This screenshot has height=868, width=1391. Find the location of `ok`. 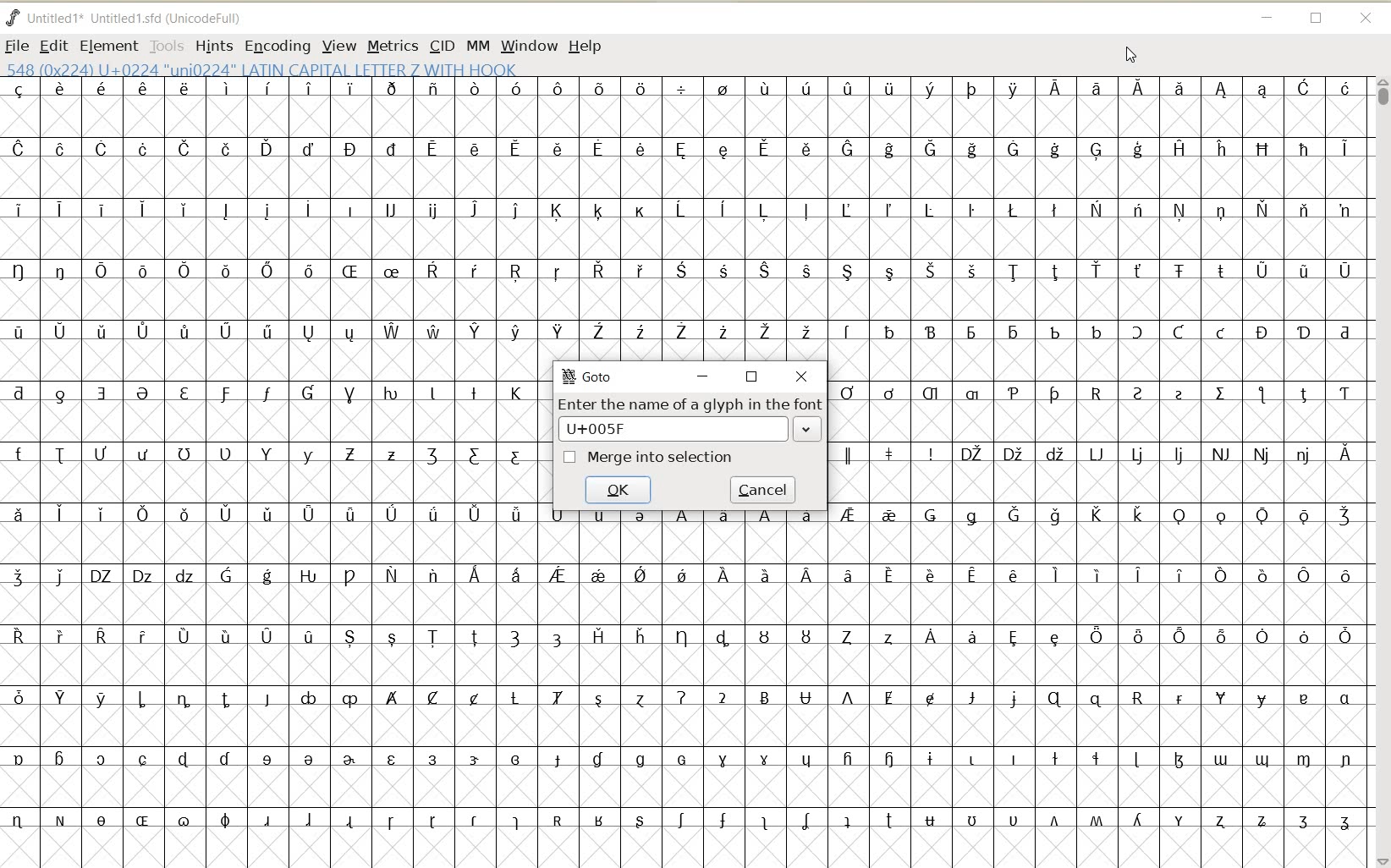

ok is located at coordinates (618, 489).